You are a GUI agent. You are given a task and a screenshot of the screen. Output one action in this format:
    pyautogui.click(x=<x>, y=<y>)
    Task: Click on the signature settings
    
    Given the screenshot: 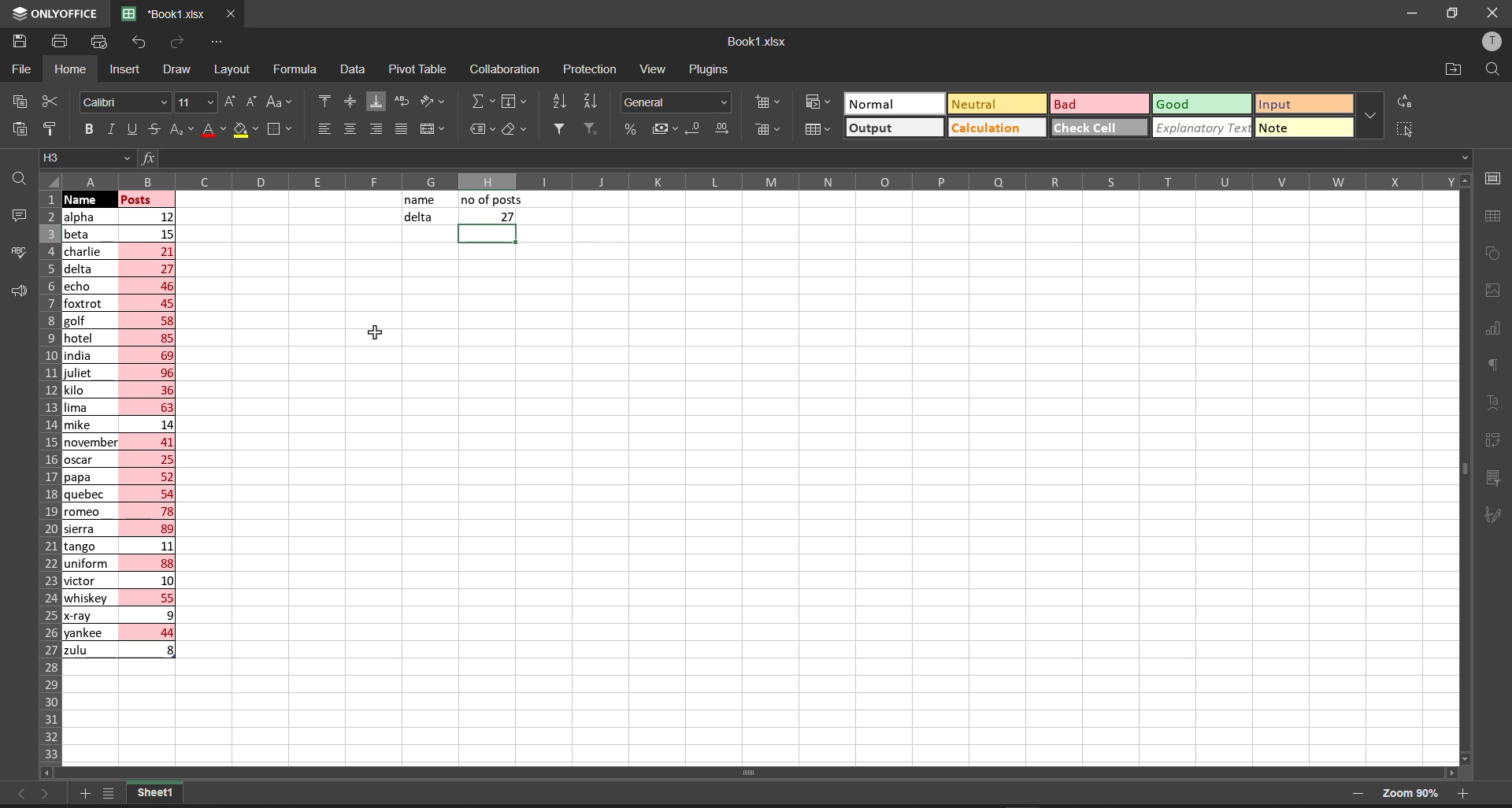 What is the action you would take?
    pyautogui.click(x=1498, y=513)
    